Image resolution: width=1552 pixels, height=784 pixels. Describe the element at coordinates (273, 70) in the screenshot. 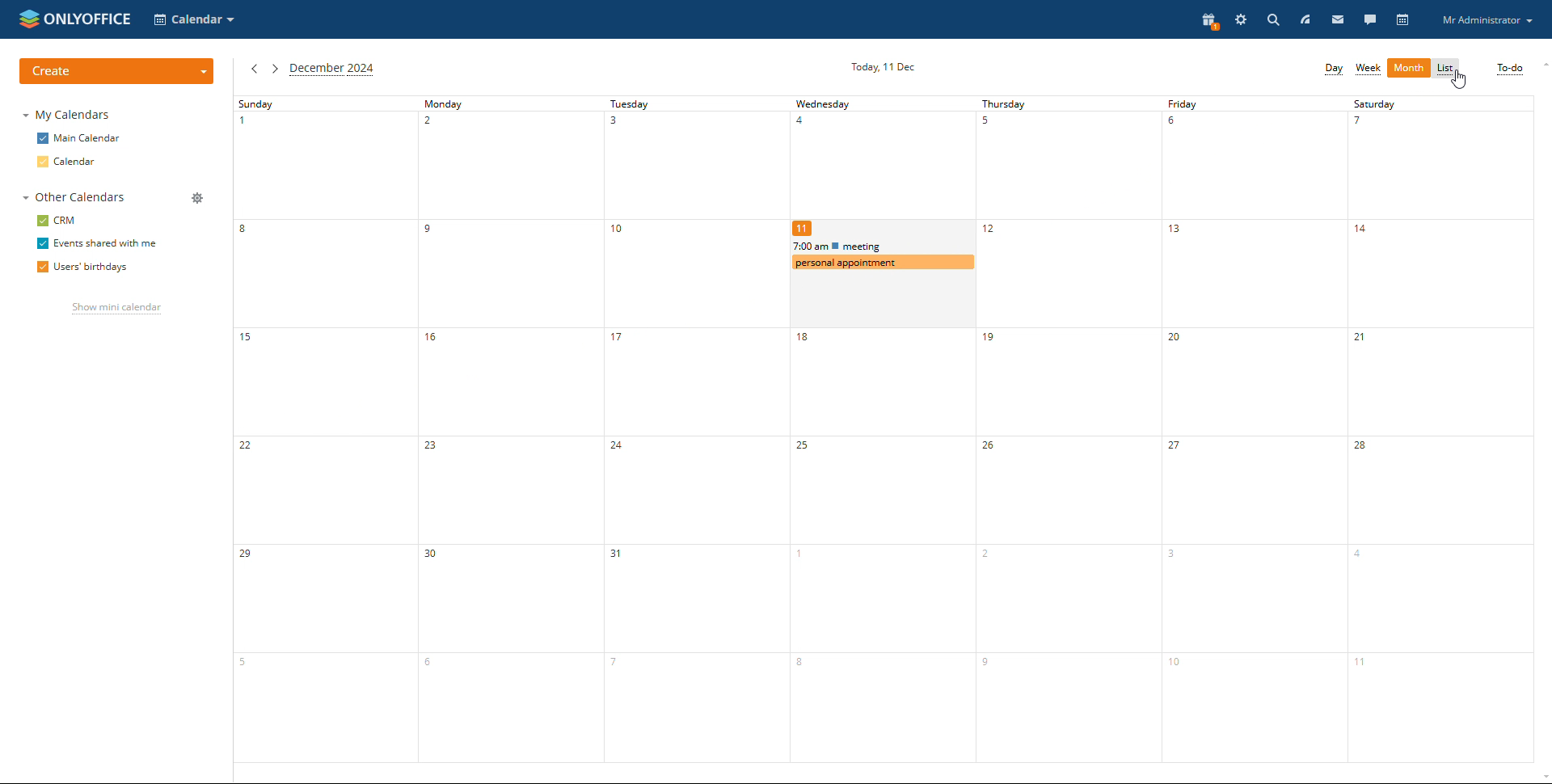

I see `next month` at that location.